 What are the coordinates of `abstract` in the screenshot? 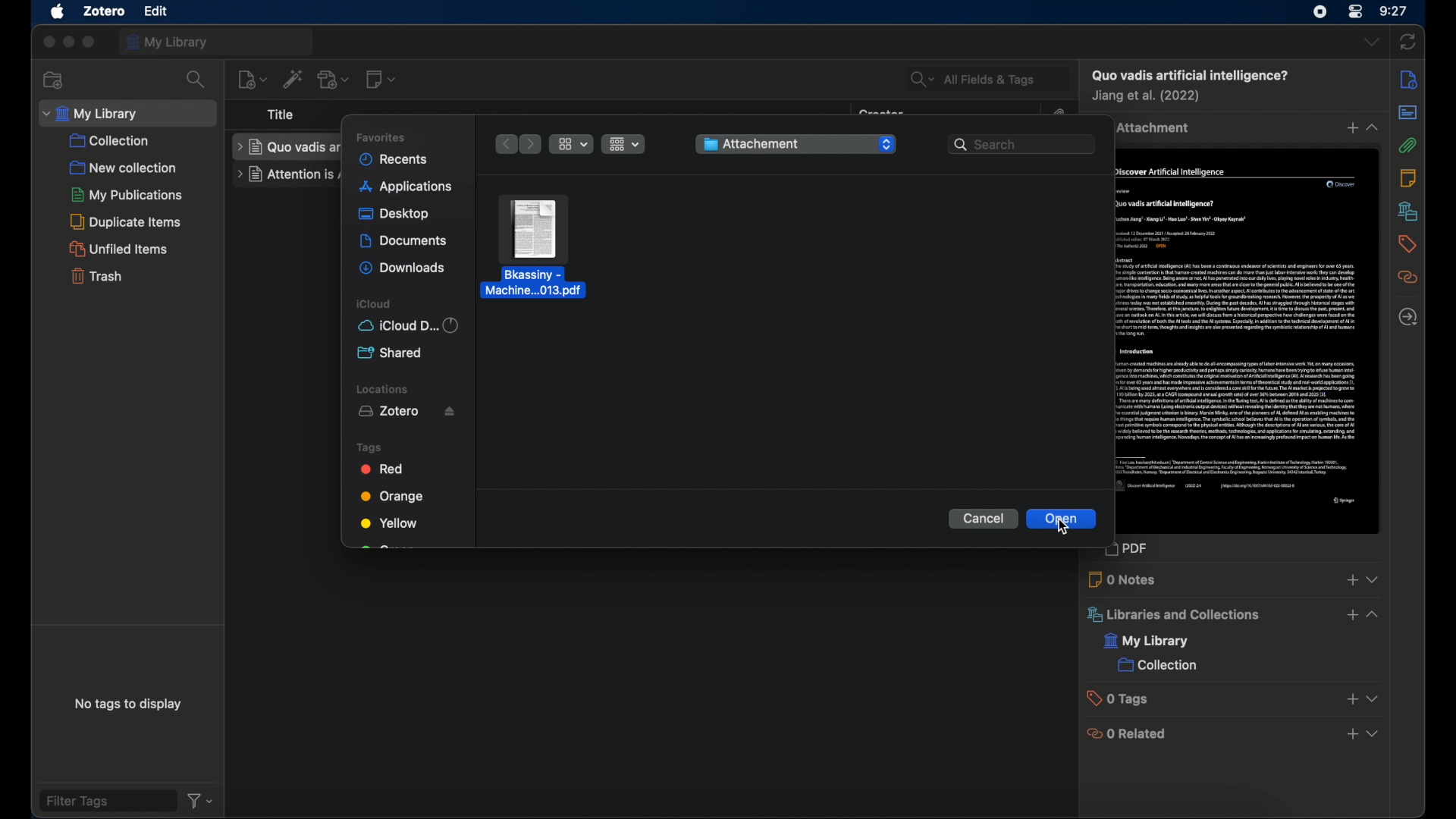 It's located at (1407, 112).